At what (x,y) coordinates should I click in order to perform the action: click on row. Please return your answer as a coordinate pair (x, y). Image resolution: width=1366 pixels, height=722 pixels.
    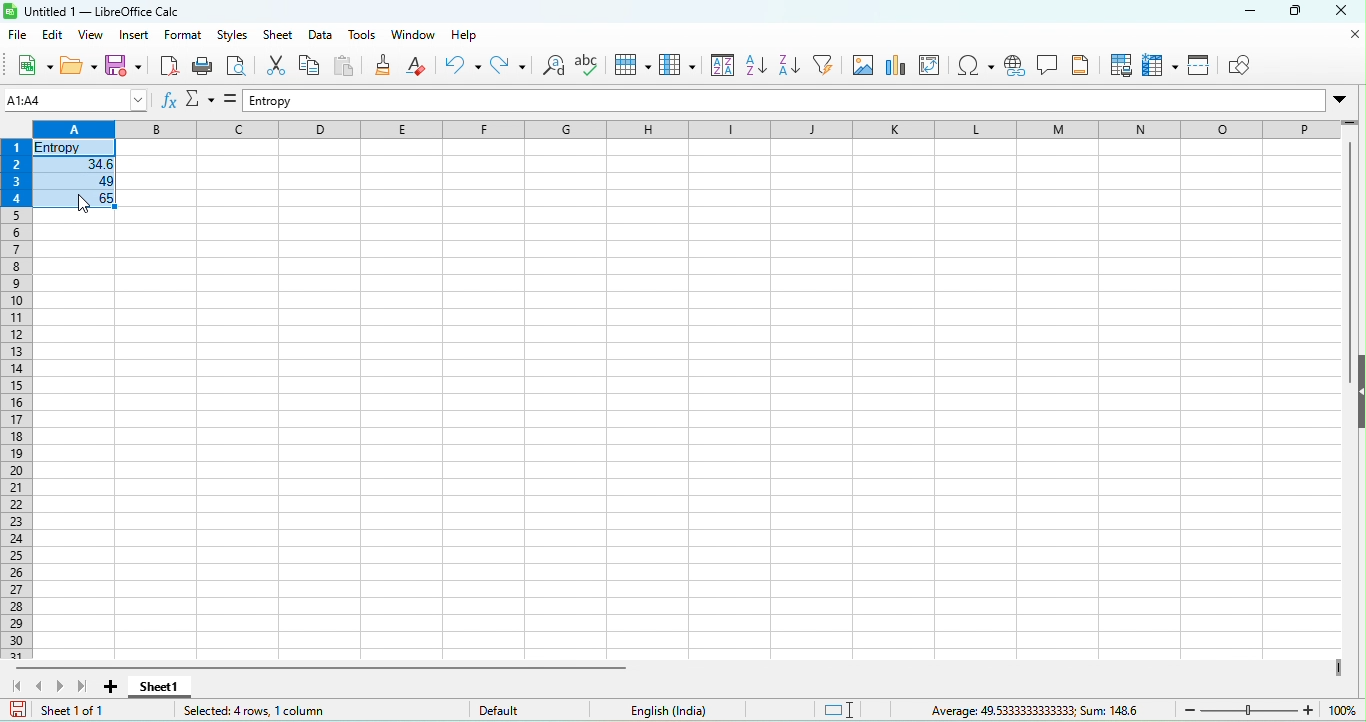
    Looking at the image, I should click on (630, 64).